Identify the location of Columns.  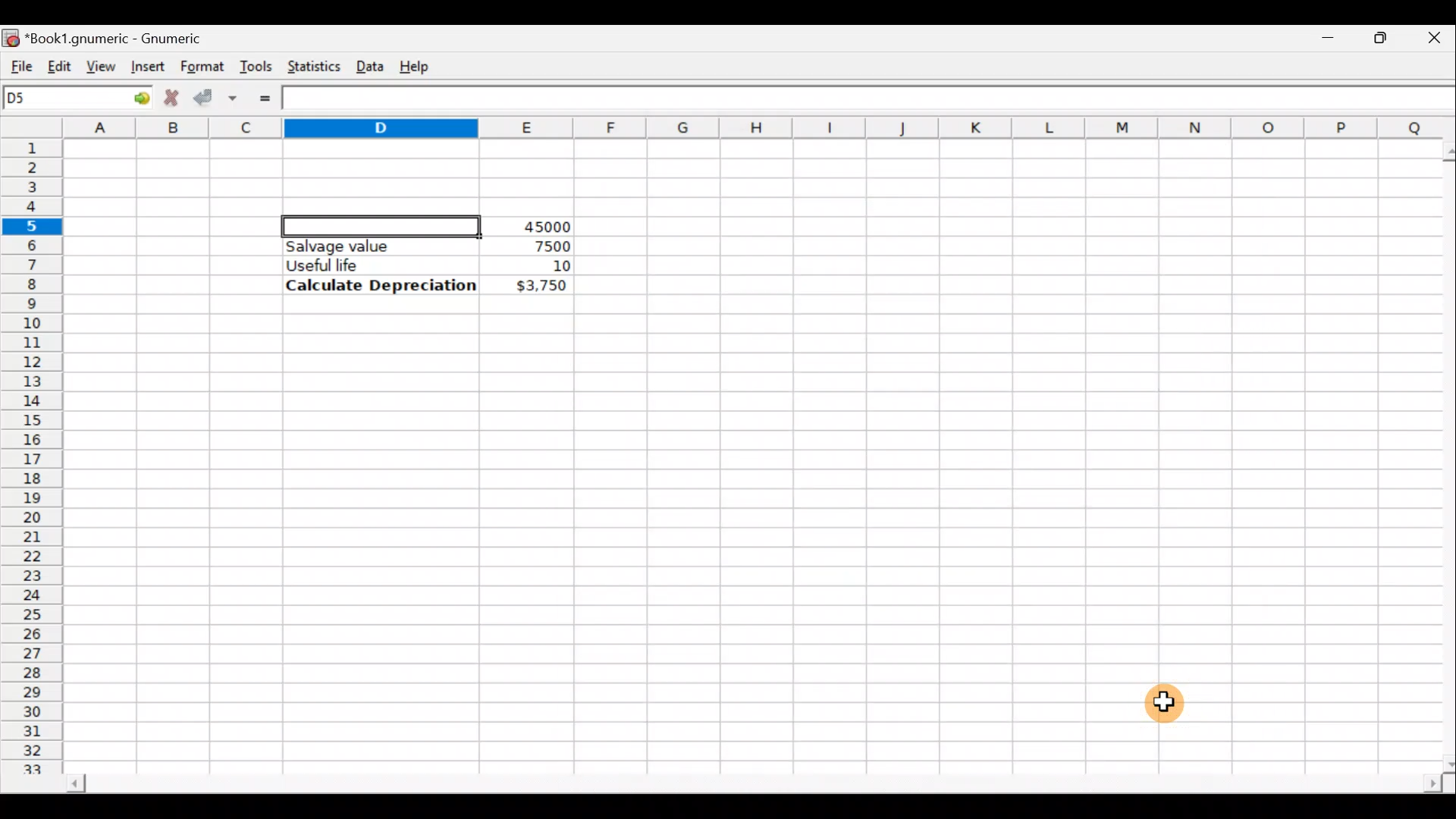
(761, 128).